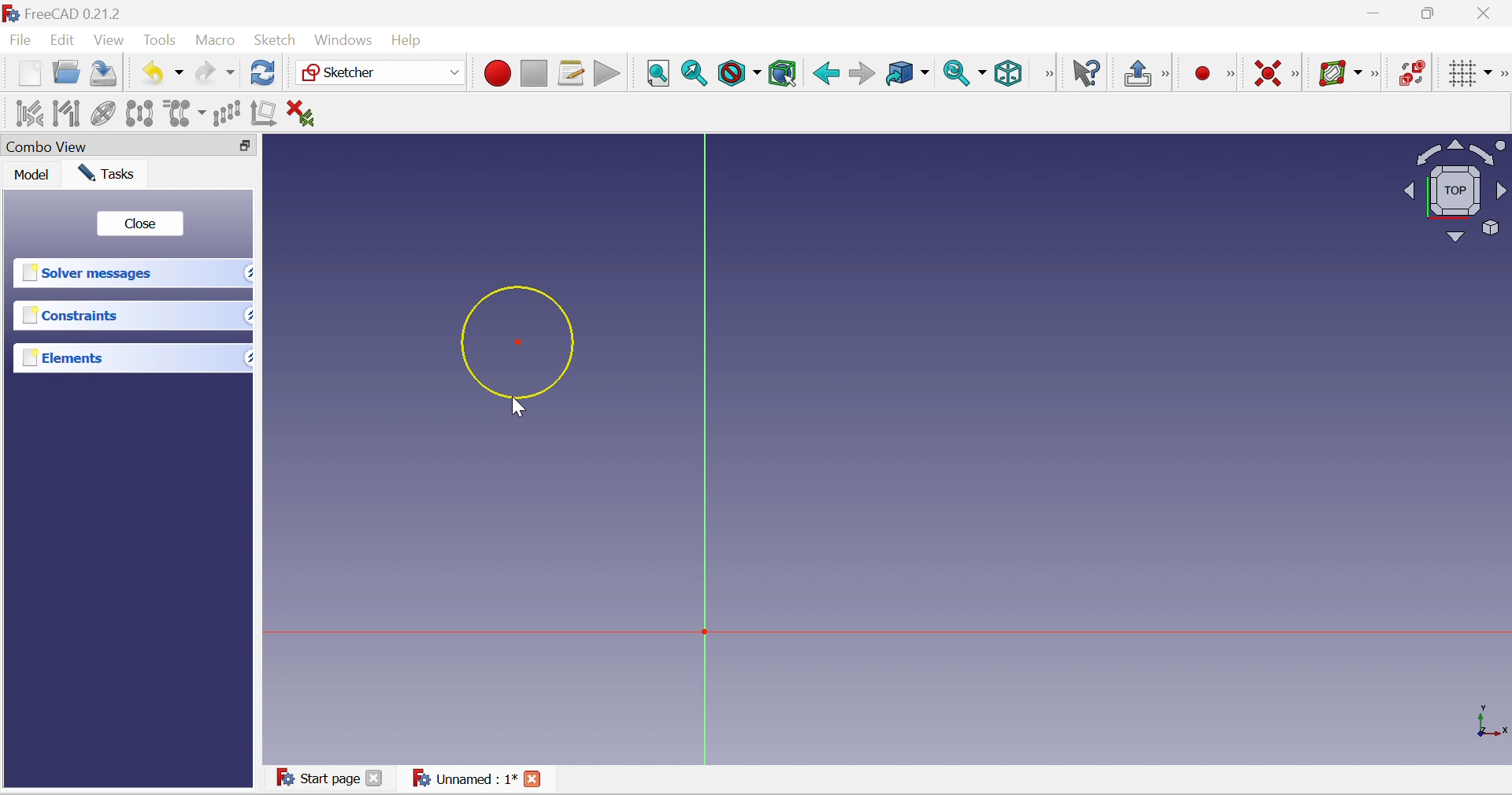  I want to click on Sketcher, so click(379, 72).